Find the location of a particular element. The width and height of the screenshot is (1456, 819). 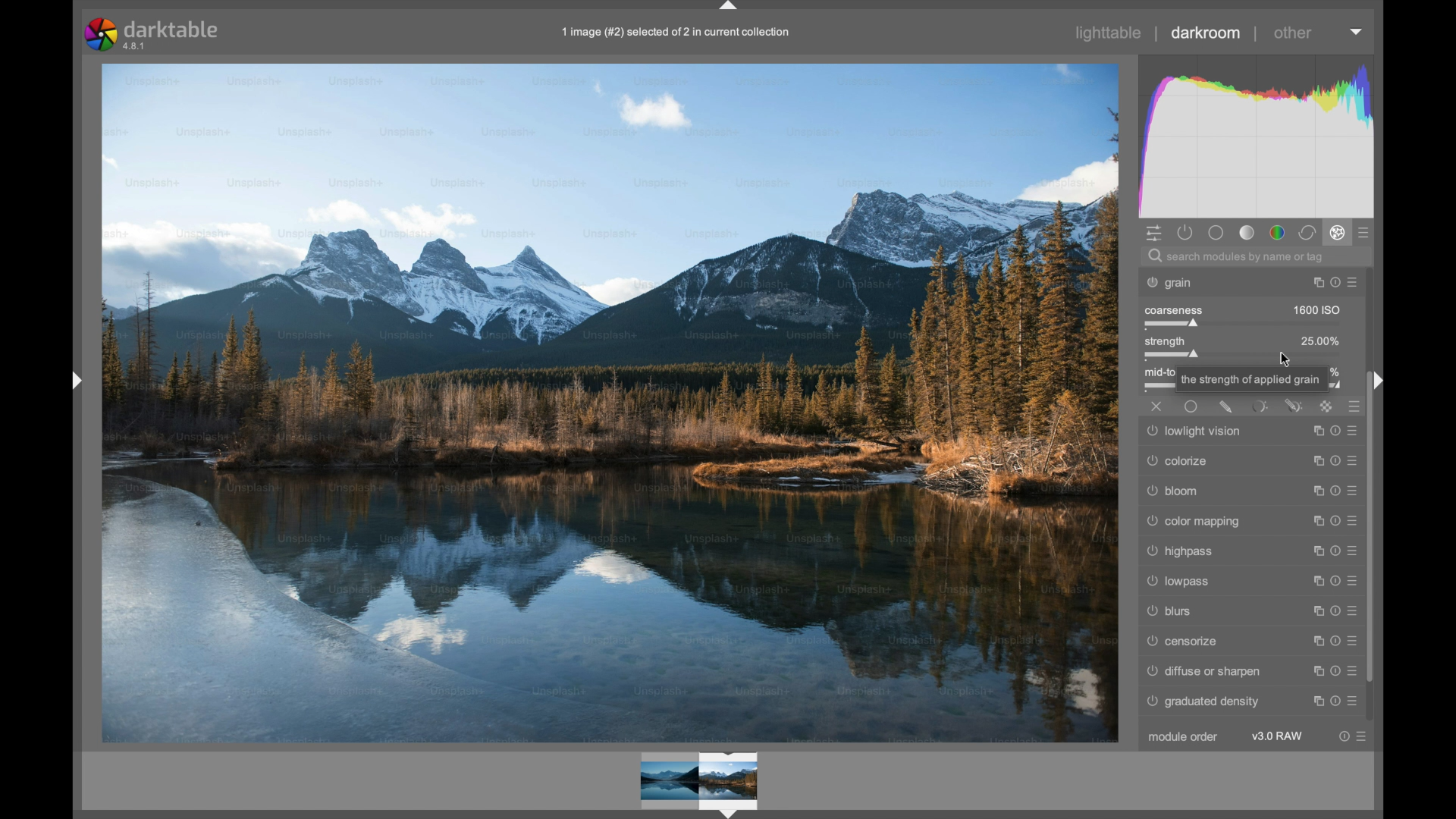

show active modules only is located at coordinates (1185, 234).